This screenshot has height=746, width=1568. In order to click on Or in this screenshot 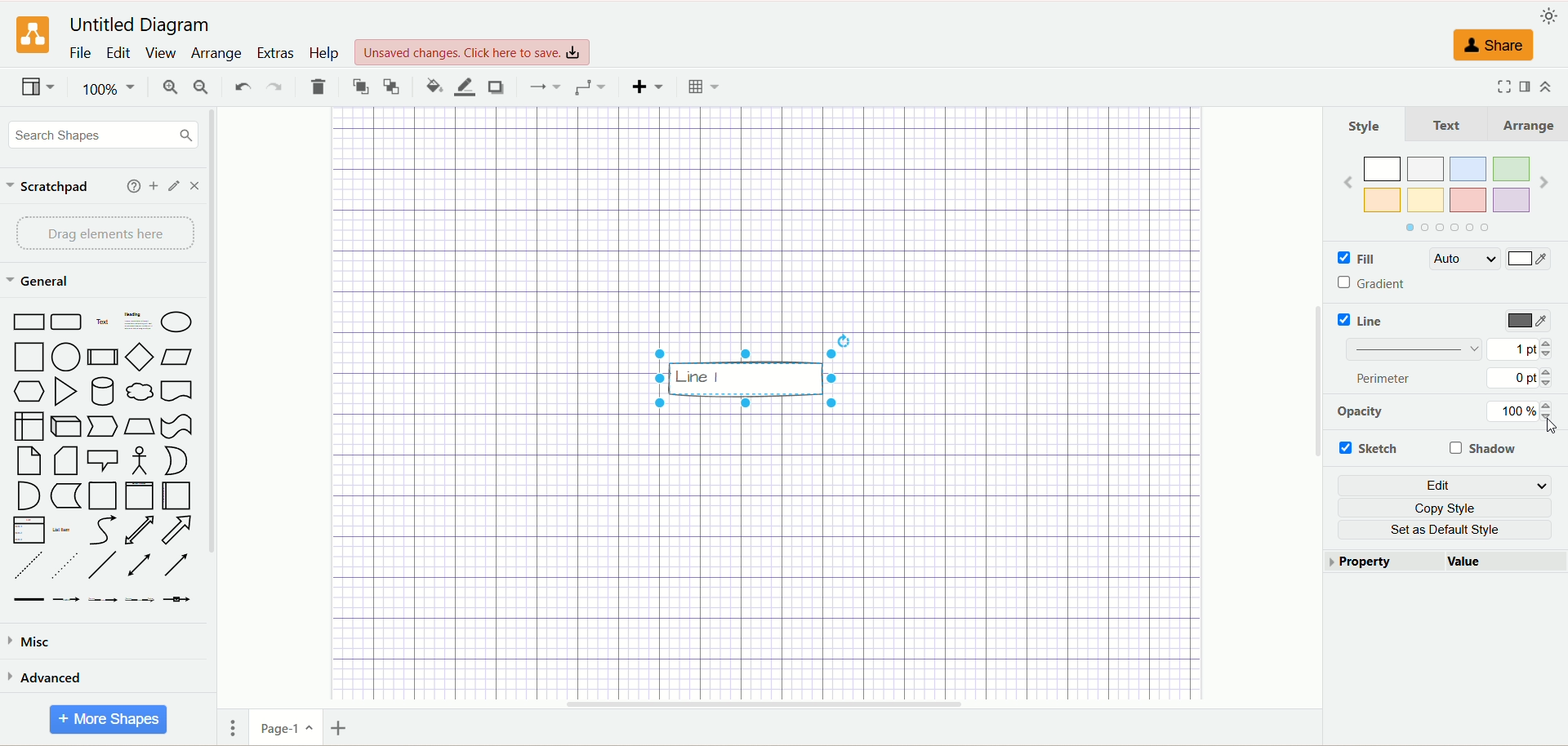, I will do `click(176, 461)`.